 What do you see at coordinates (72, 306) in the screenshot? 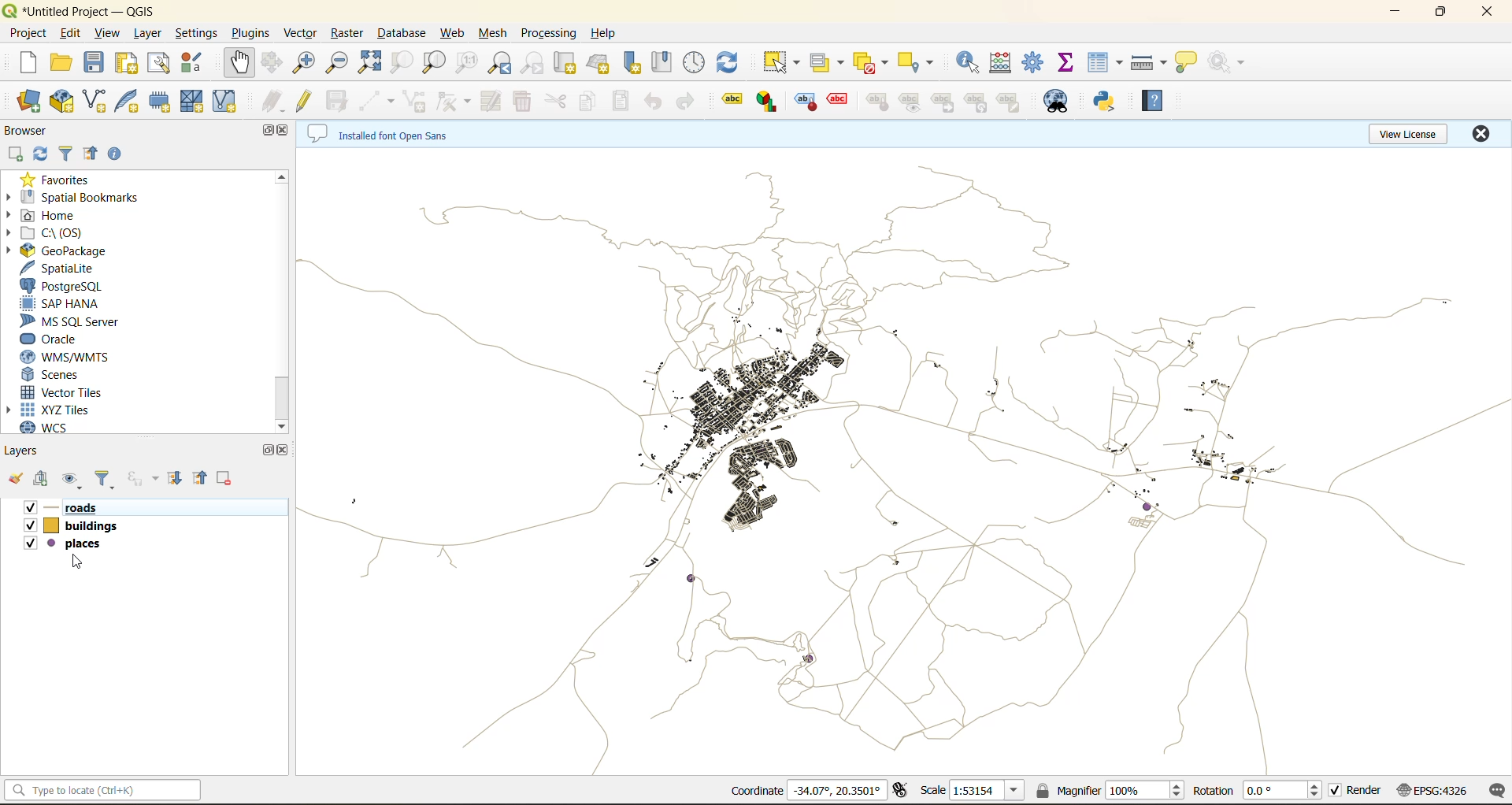
I see `sap hana` at bounding box center [72, 306].